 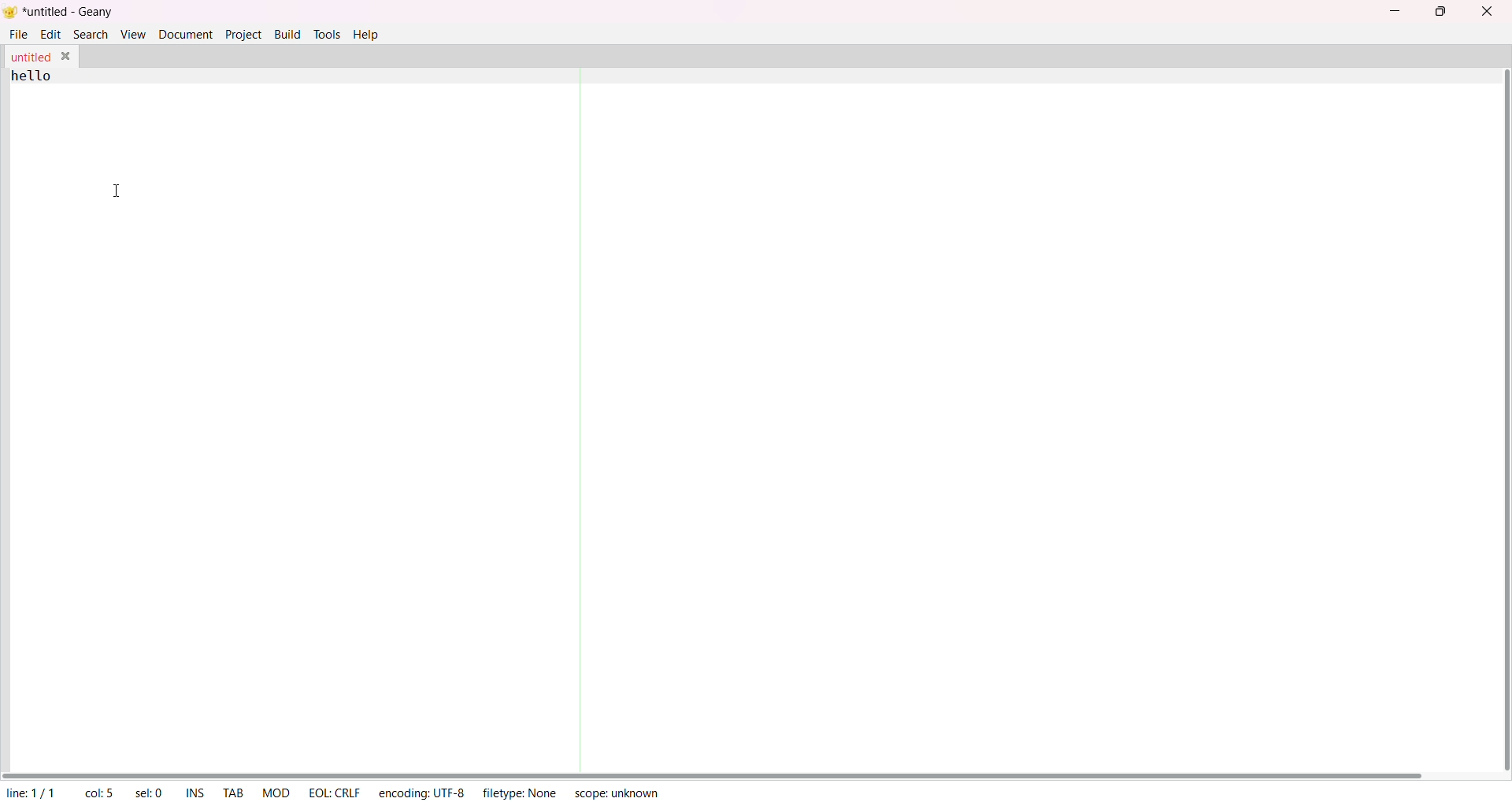 What do you see at coordinates (1393, 13) in the screenshot?
I see `minimize` at bounding box center [1393, 13].